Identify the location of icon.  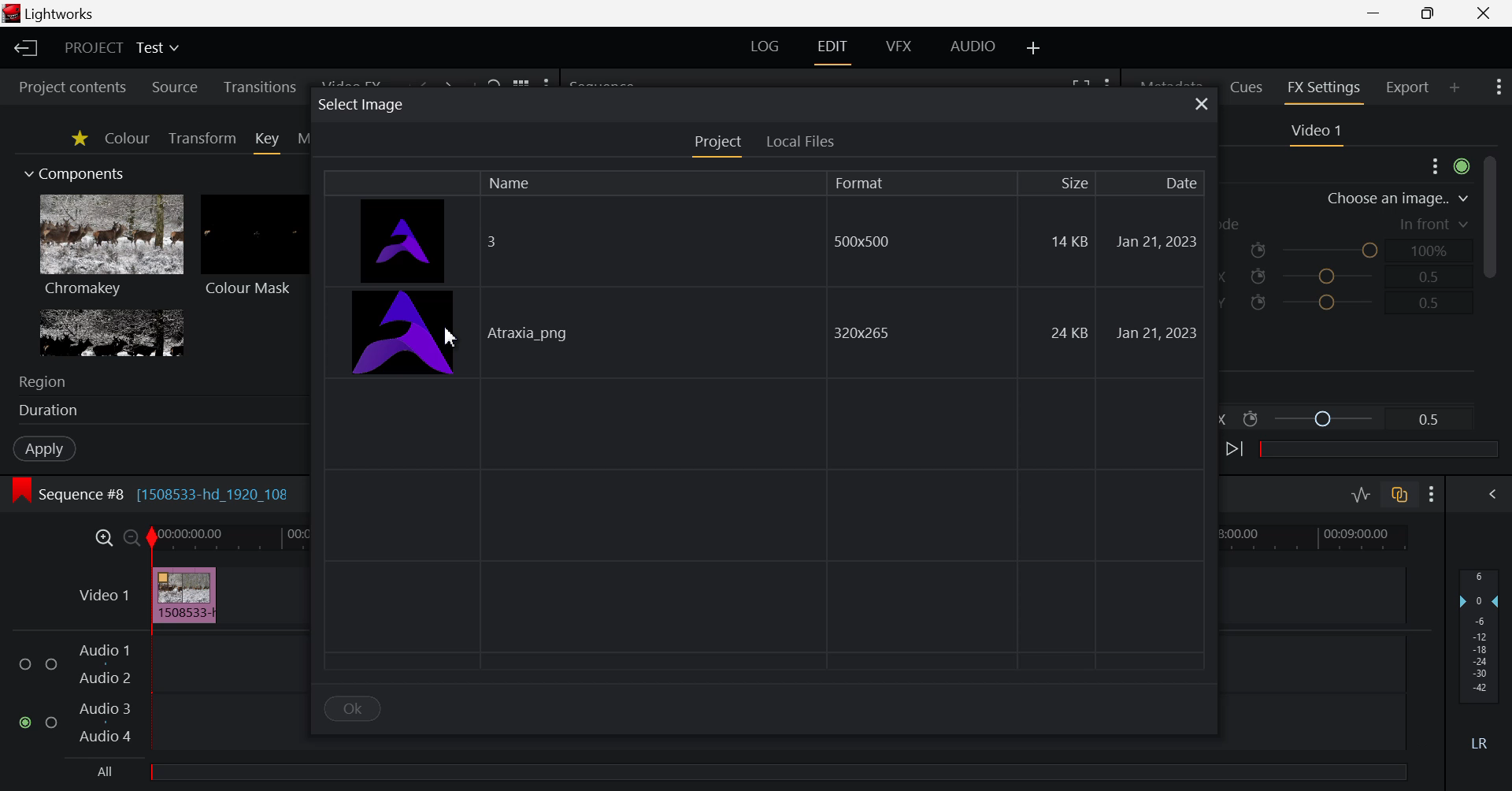
(1251, 418).